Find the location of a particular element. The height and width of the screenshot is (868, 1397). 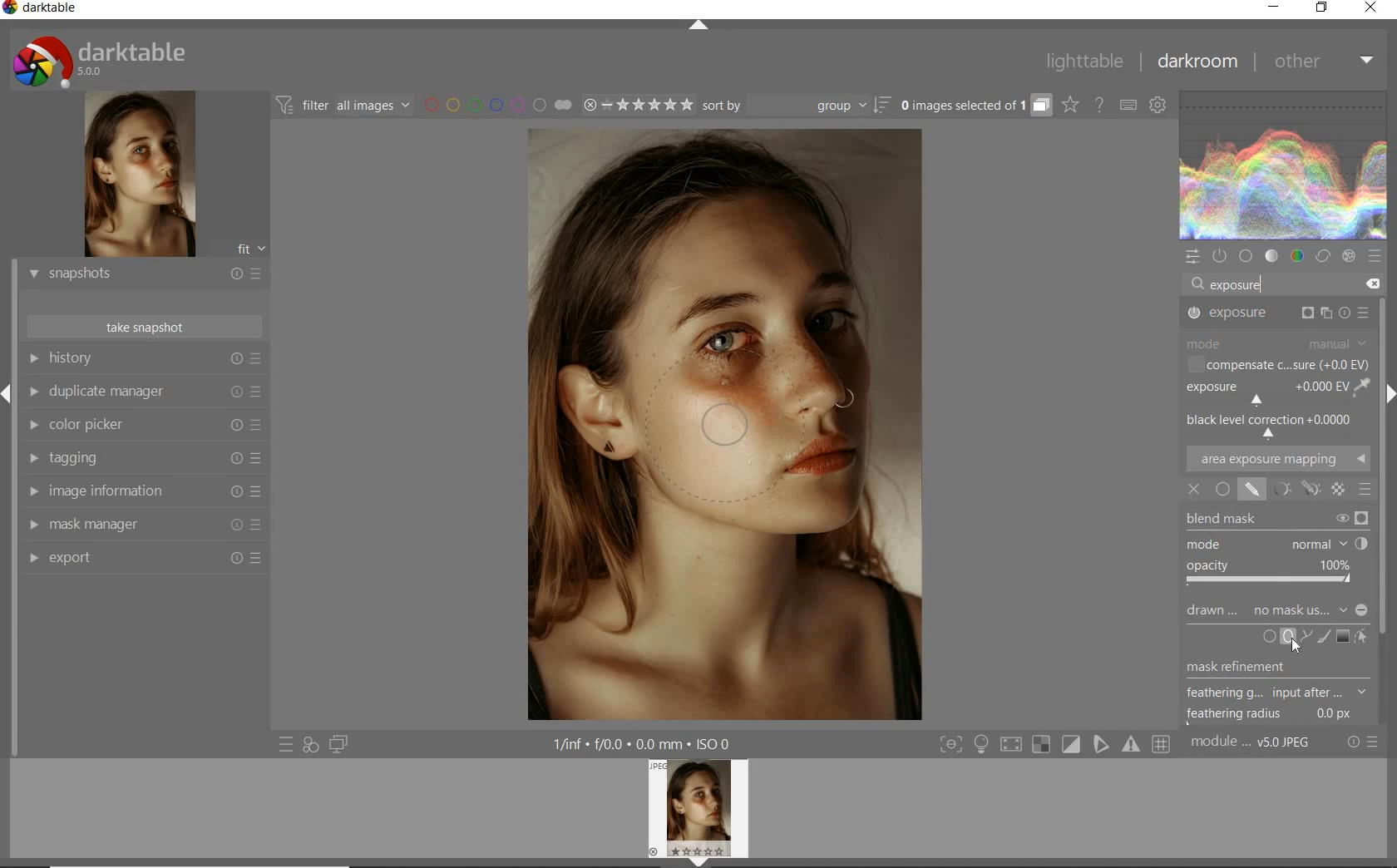

mask manager is located at coordinates (147, 525).